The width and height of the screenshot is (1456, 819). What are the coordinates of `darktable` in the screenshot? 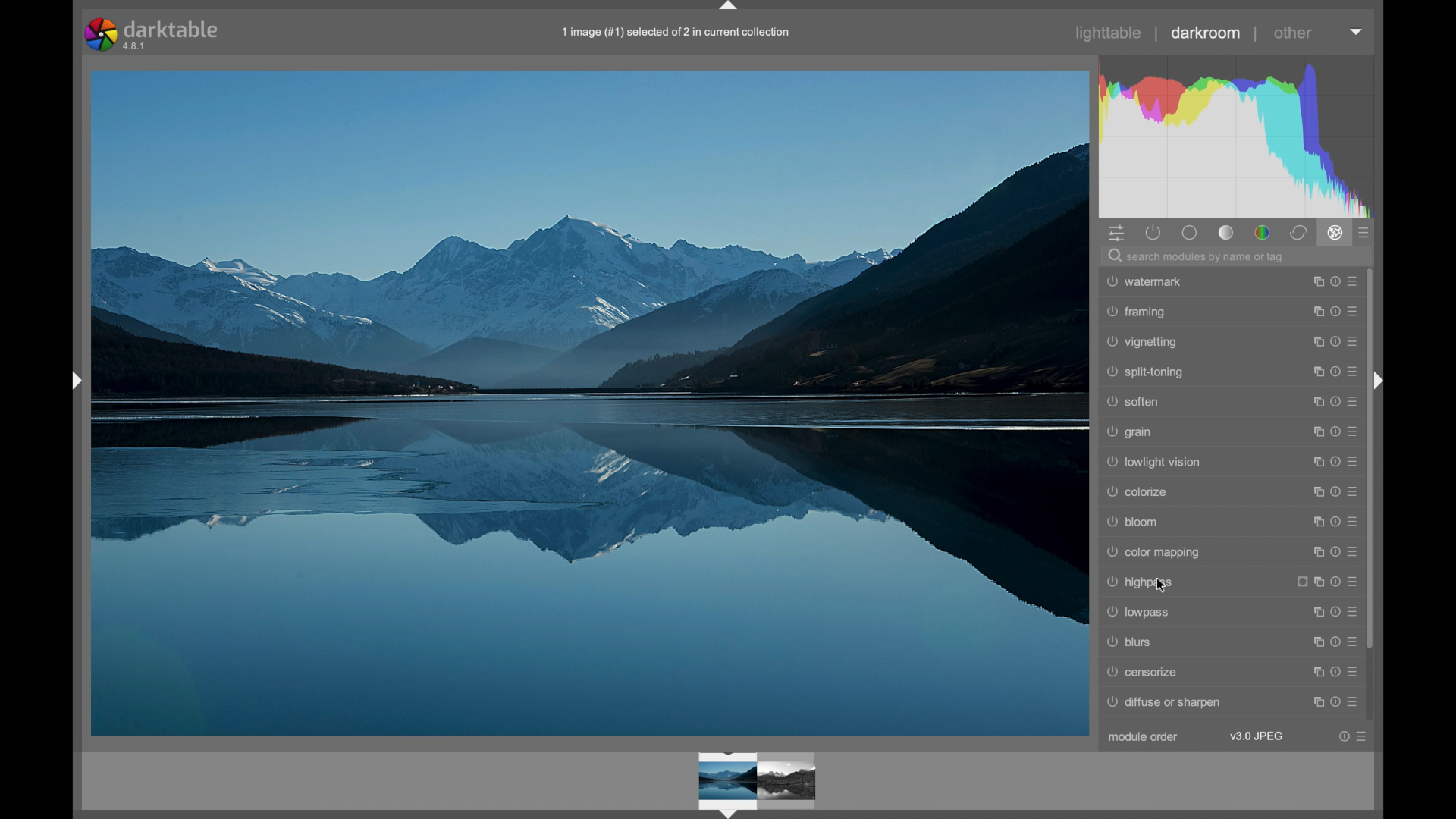 It's located at (153, 34).